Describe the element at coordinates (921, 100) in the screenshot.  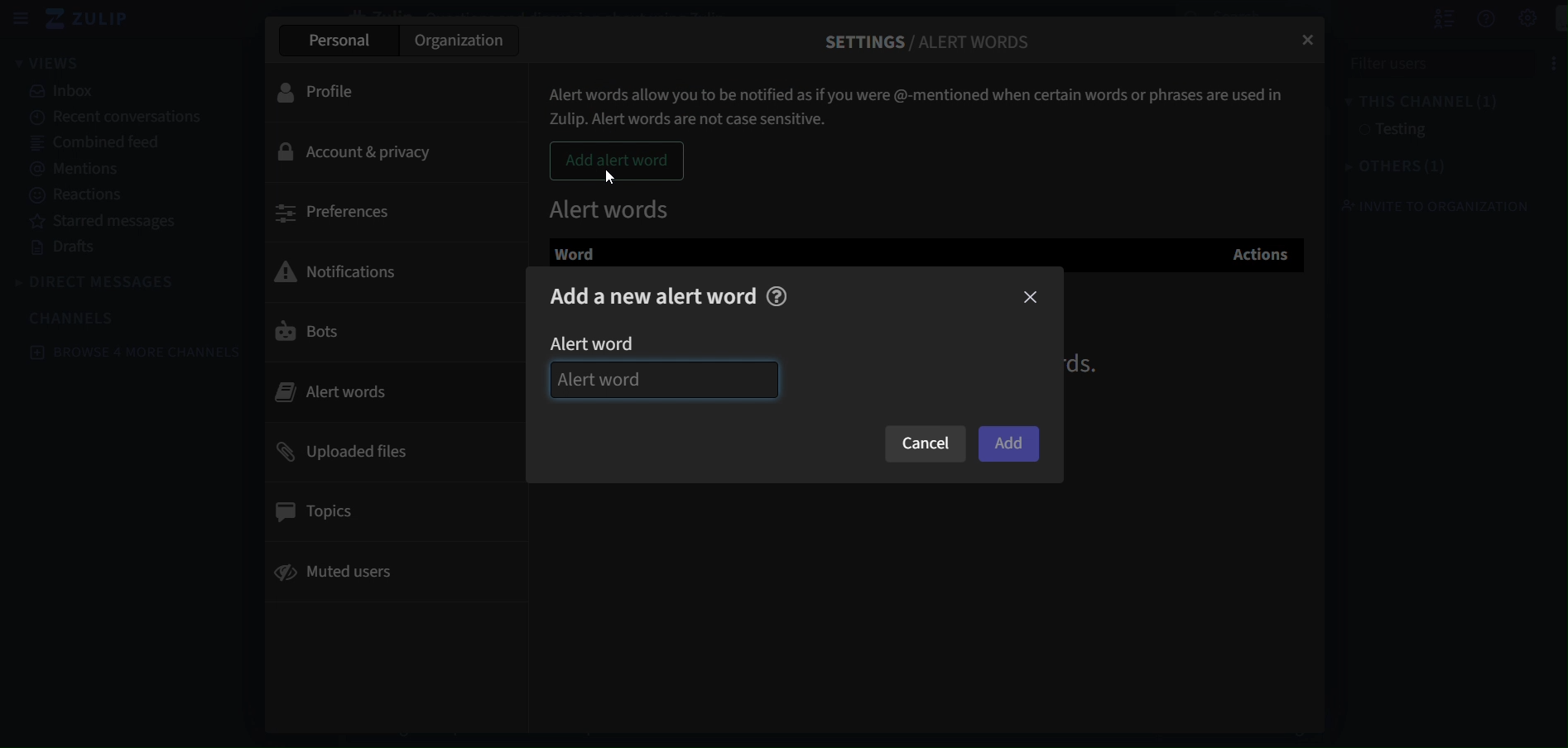
I see `Alert words allow you to be notified as if you were @-mentioned when certain words or phrases are used in Zulip.` at that location.